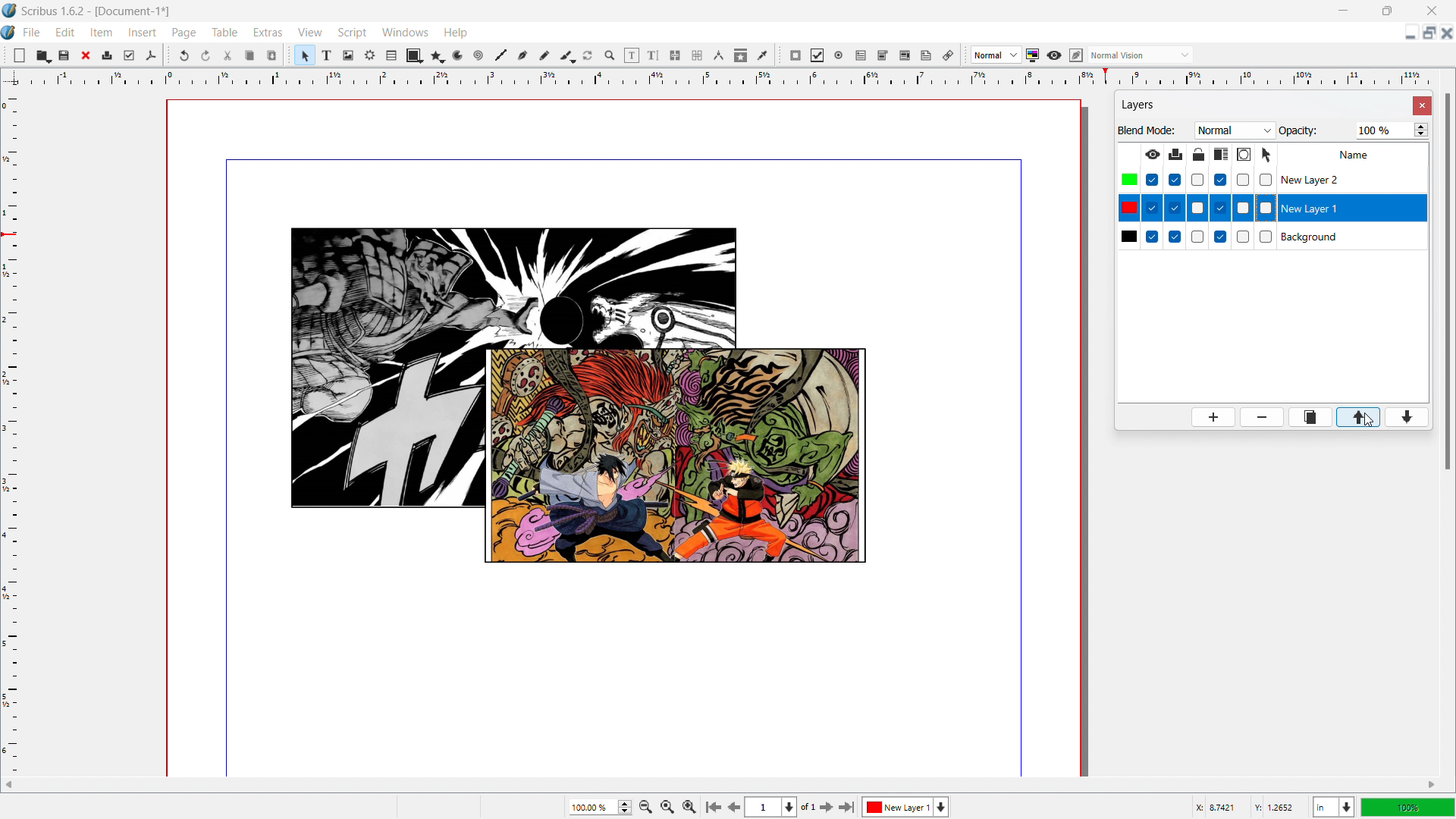 This screenshot has height=819, width=1456. What do you see at coordinates (675, 55) in the screenshot?
I see `link text frames` at bounding box center [675, 55].